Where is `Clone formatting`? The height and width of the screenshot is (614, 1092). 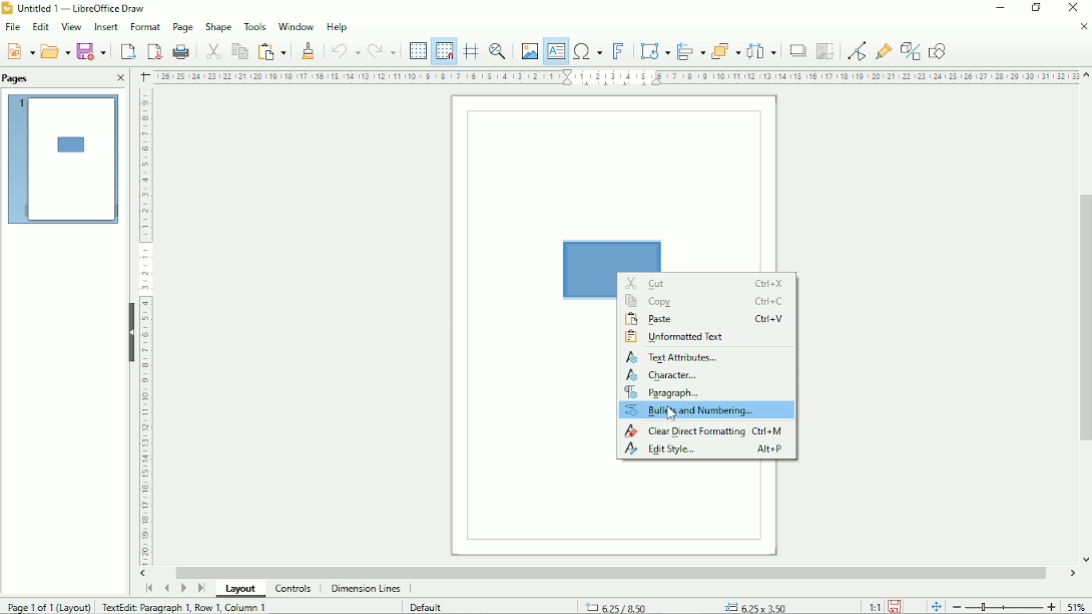
Clone formatting is located at coordinates (310, 50).